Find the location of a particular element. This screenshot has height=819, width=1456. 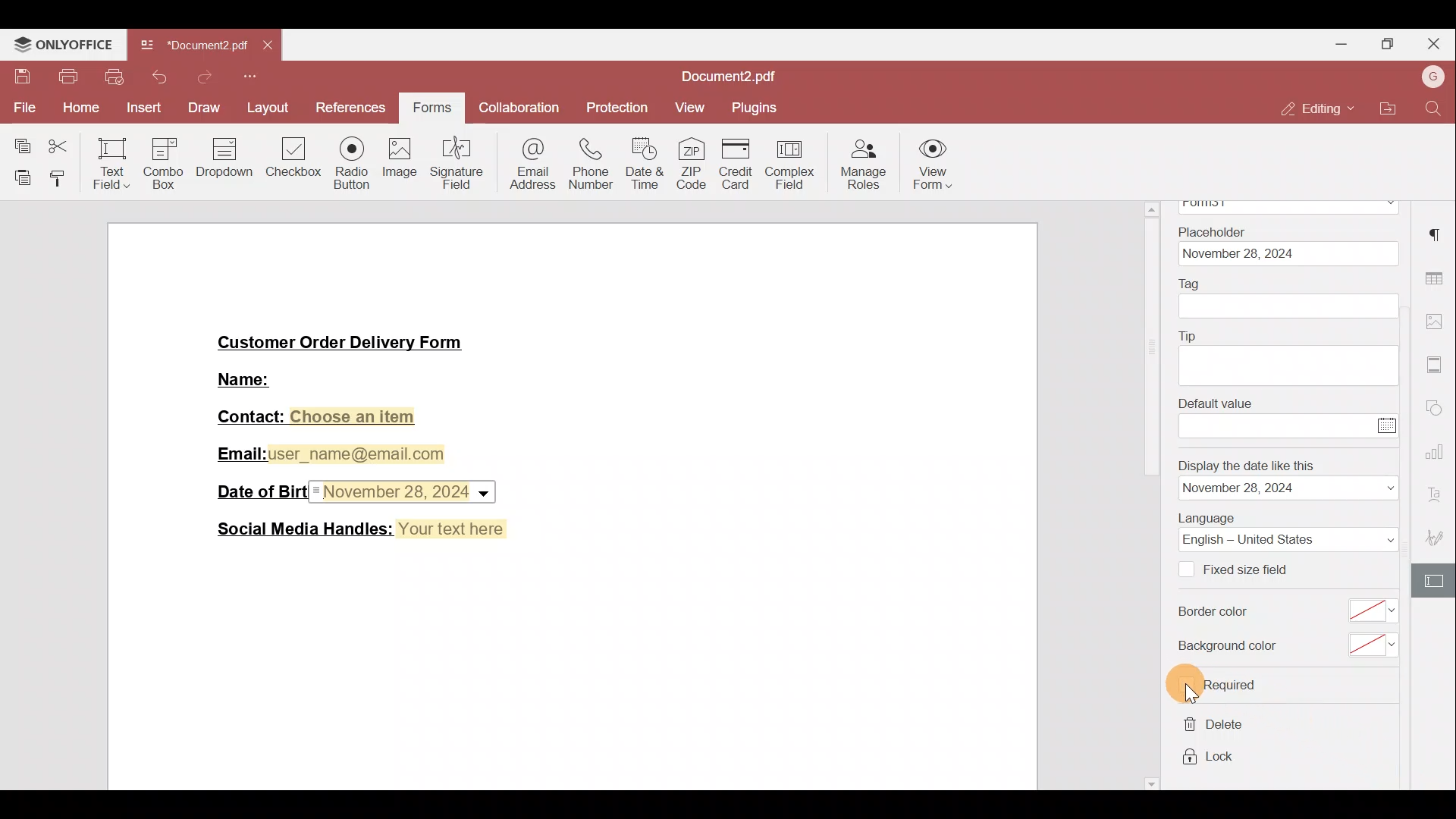

Image is located at coordinates (400, 163).